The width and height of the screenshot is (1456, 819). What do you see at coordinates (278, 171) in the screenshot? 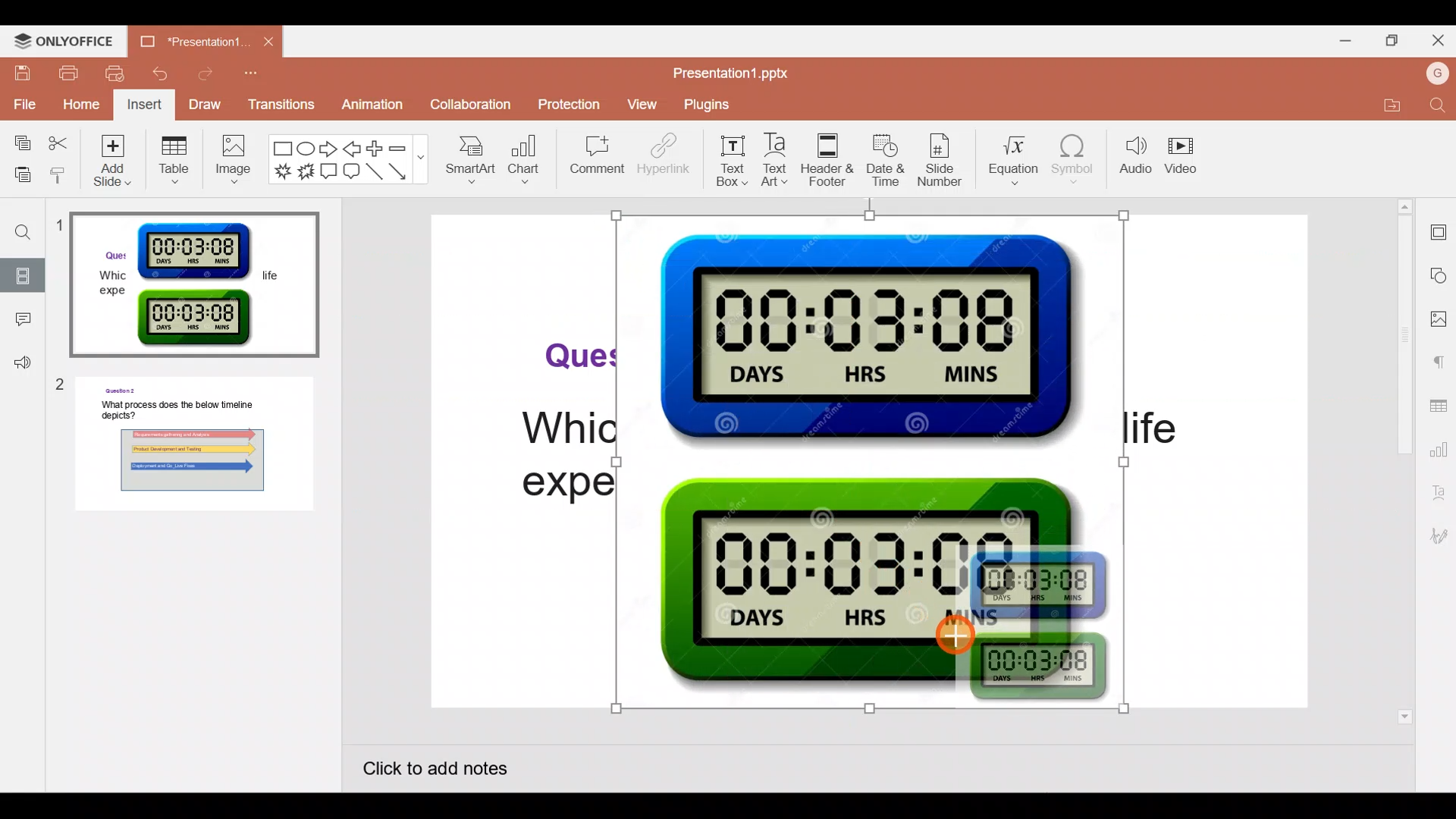
I see `Explosion 1` at bounding box center [278, 171].